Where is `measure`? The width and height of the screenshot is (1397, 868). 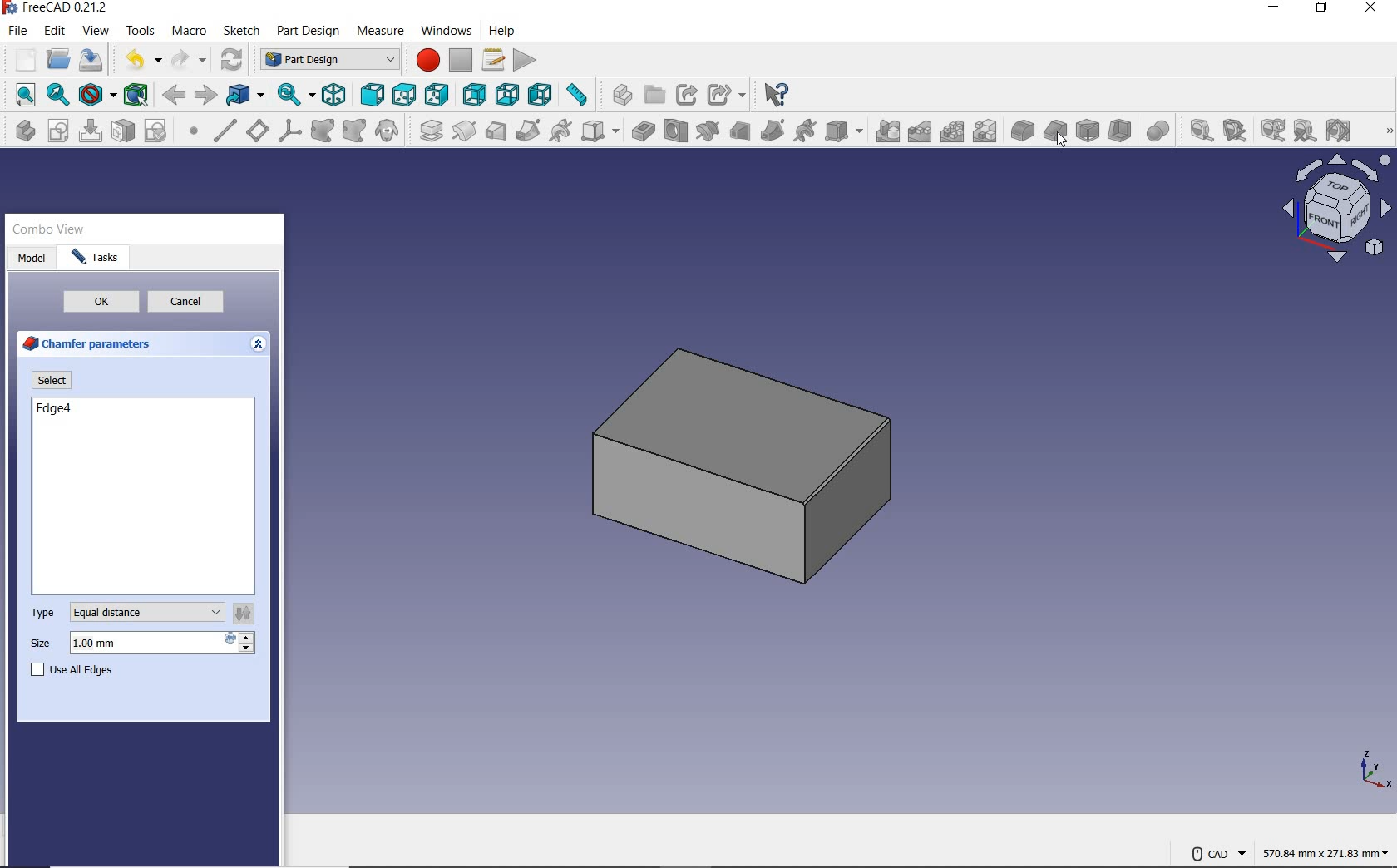
measure is located at coordinates (378, 31).